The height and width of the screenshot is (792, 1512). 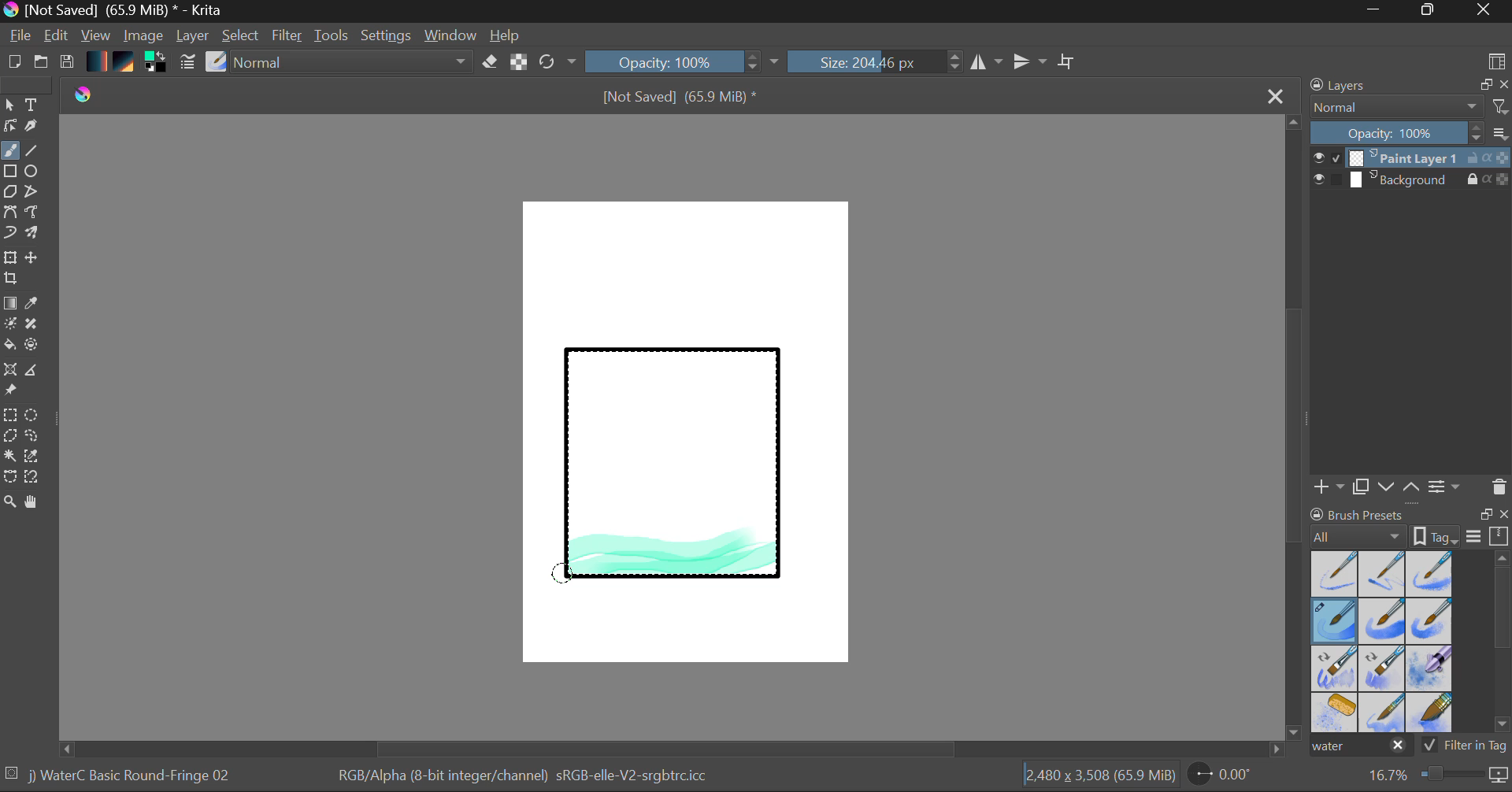 What do you see at coordinates (1410, 107) in the screenshot?
I see `Blending Mode` at bounding box center [1410, 107].